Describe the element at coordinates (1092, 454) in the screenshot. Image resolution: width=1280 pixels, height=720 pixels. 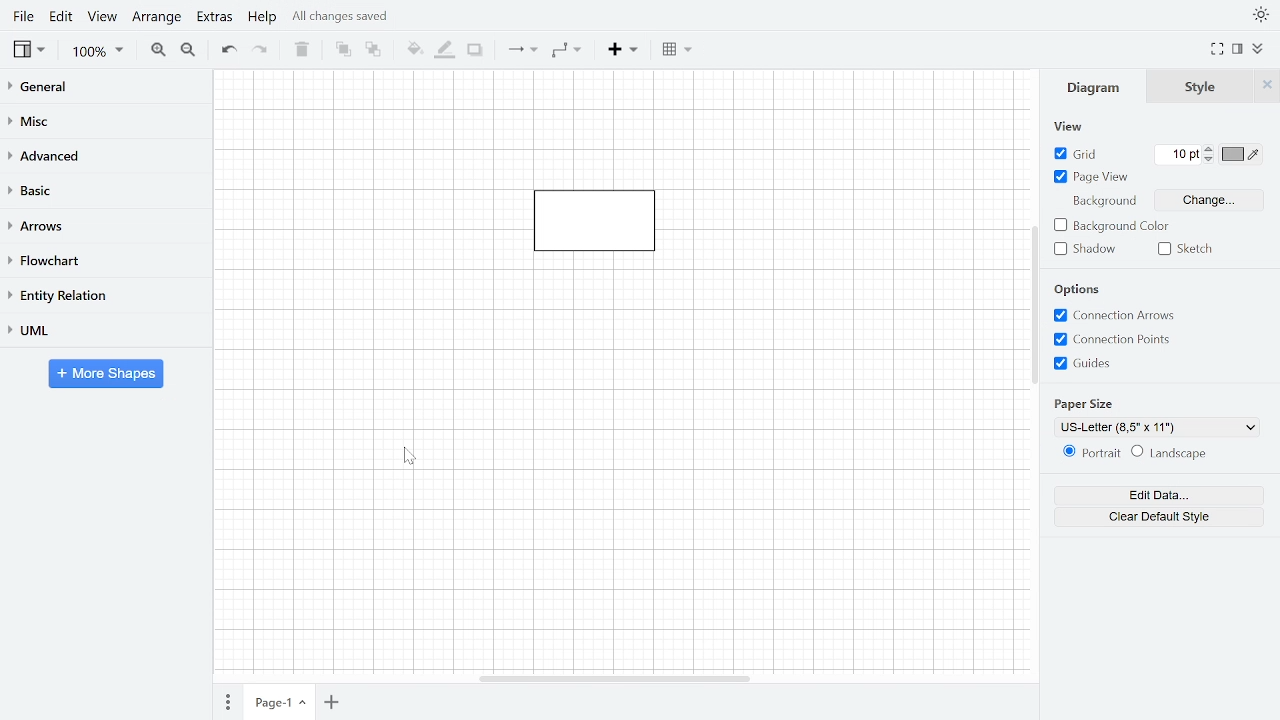
I see `Potrait` at that location.